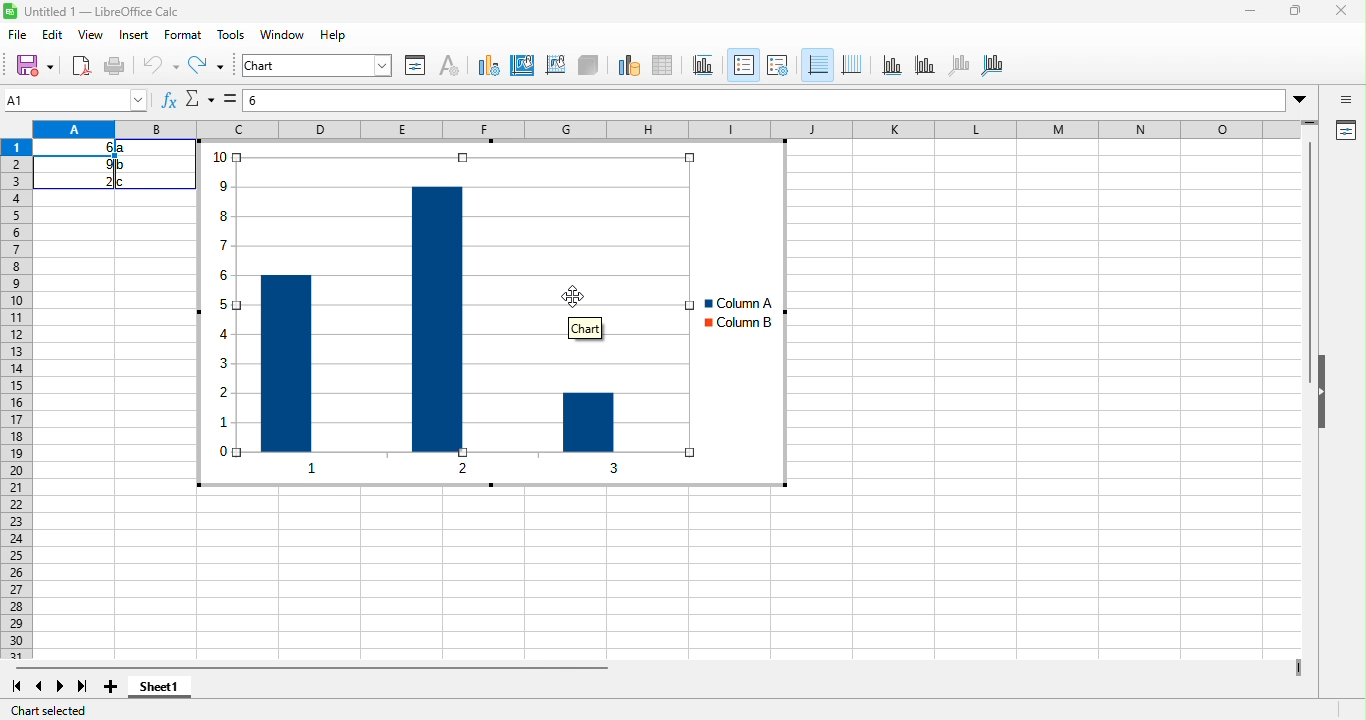  I want to click on select function, so click(198, 99).